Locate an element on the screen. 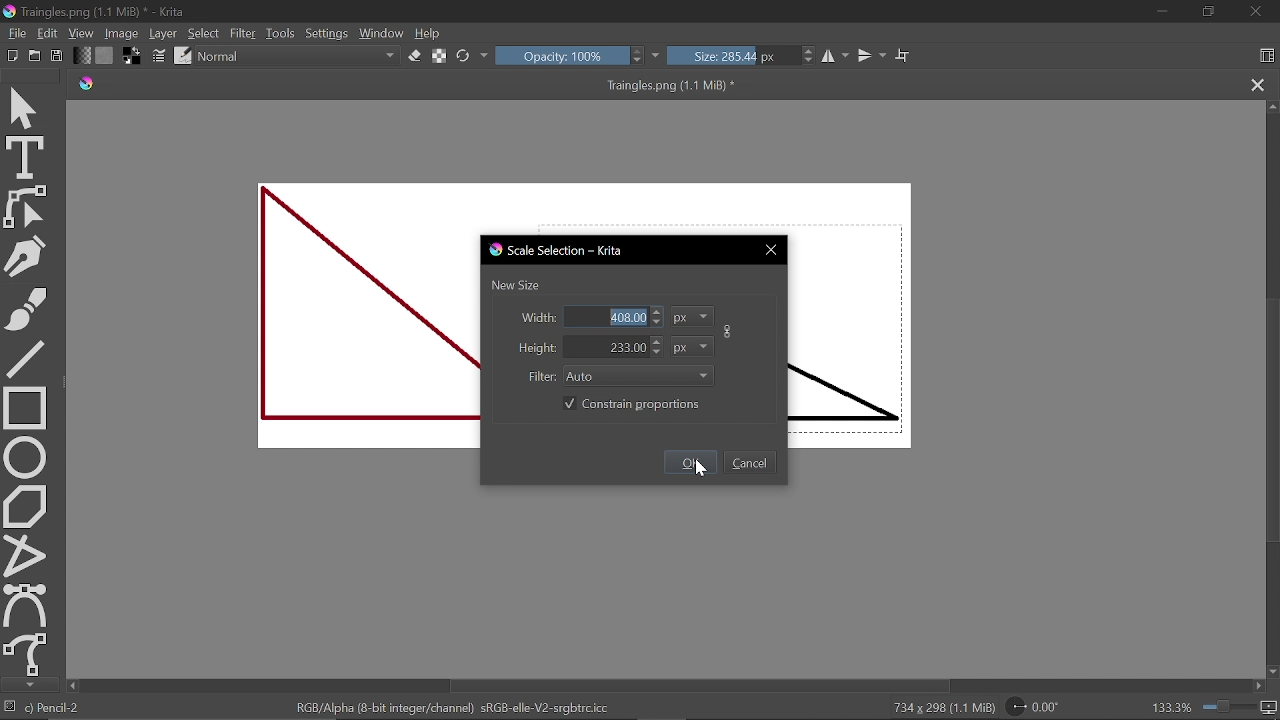 This screenshot has width=1280, height=720. Close is located at coordinates (771, 251).